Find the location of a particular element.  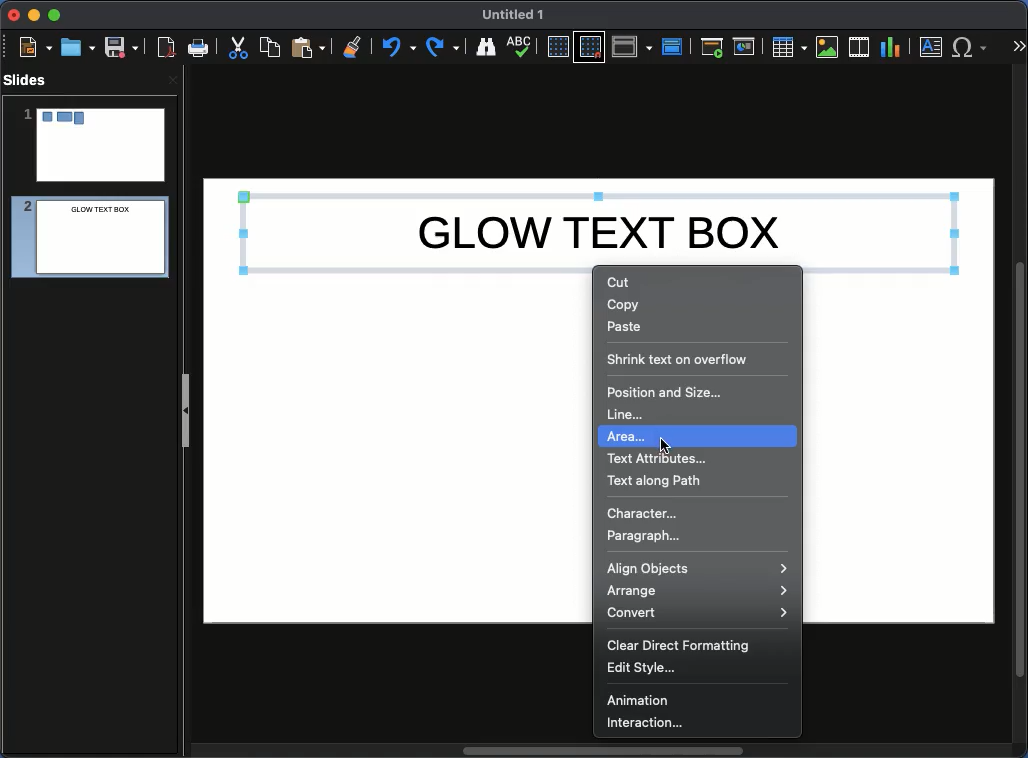

Scroll is located at coordinates (599, 752).